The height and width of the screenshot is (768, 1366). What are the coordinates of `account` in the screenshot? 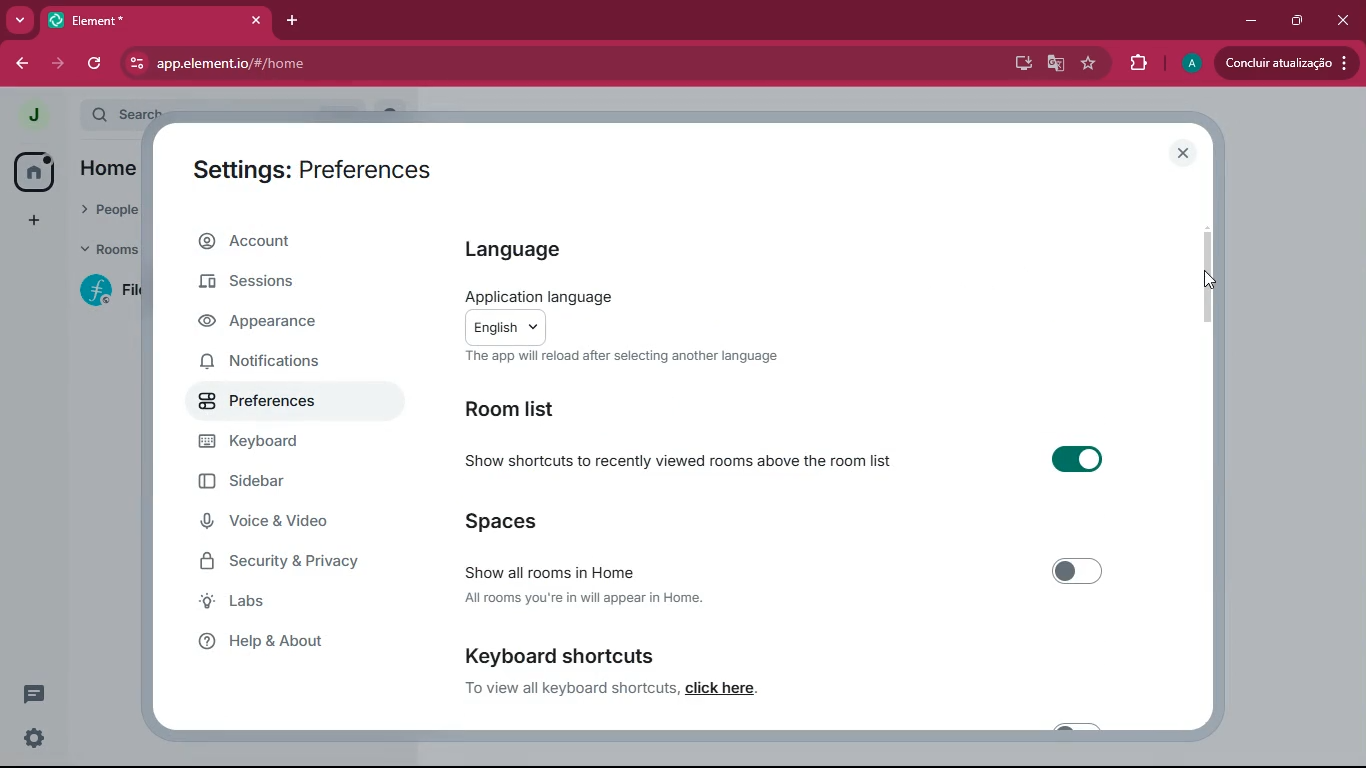 It's located at (296, 239).